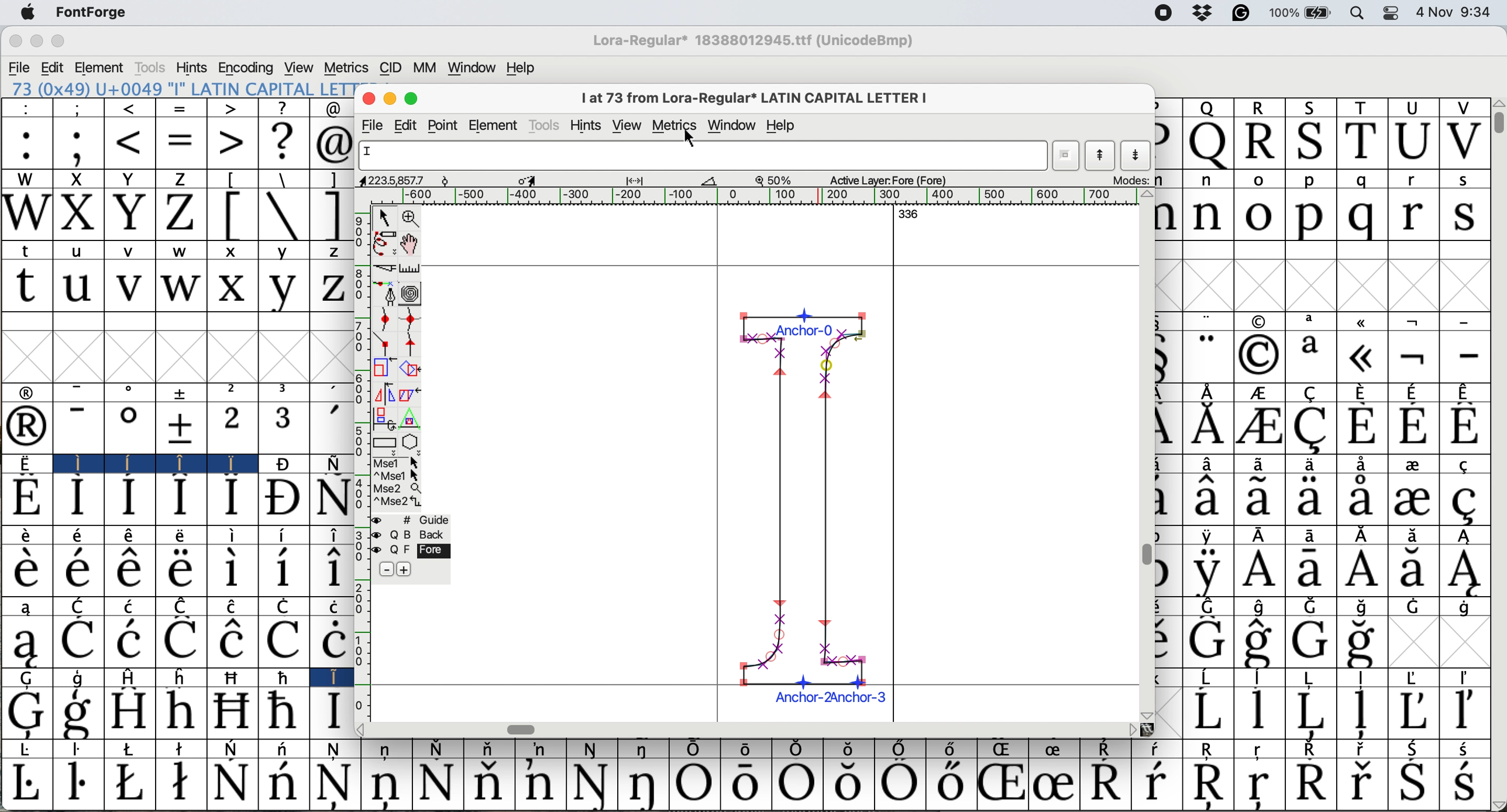 The image size is (1507, 812). Describe the element at coordinates (733, 125) in the screenshot. I see `window` at that location.